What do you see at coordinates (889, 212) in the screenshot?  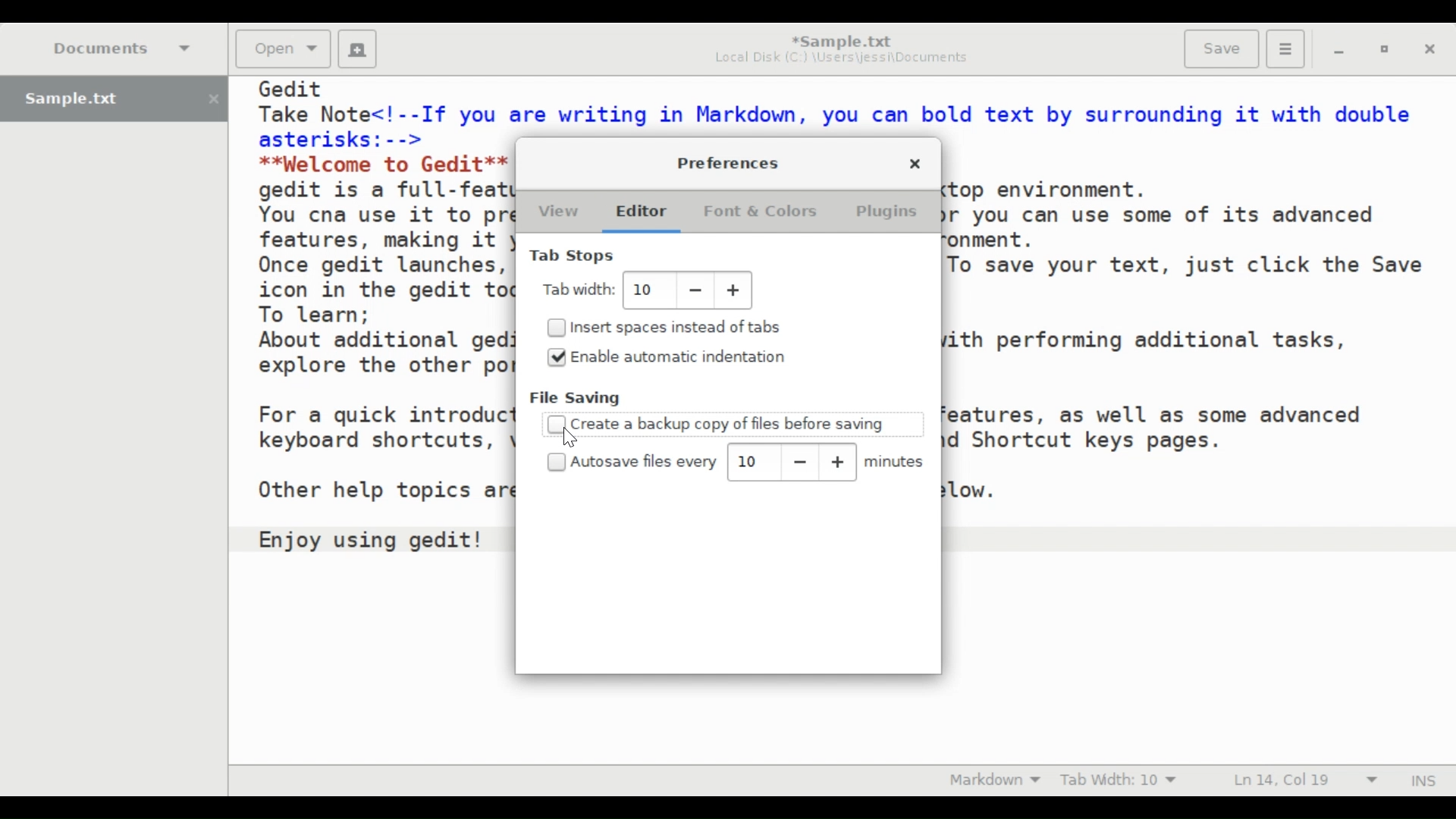 I see `Plugins` at bounding box center [889, 212].